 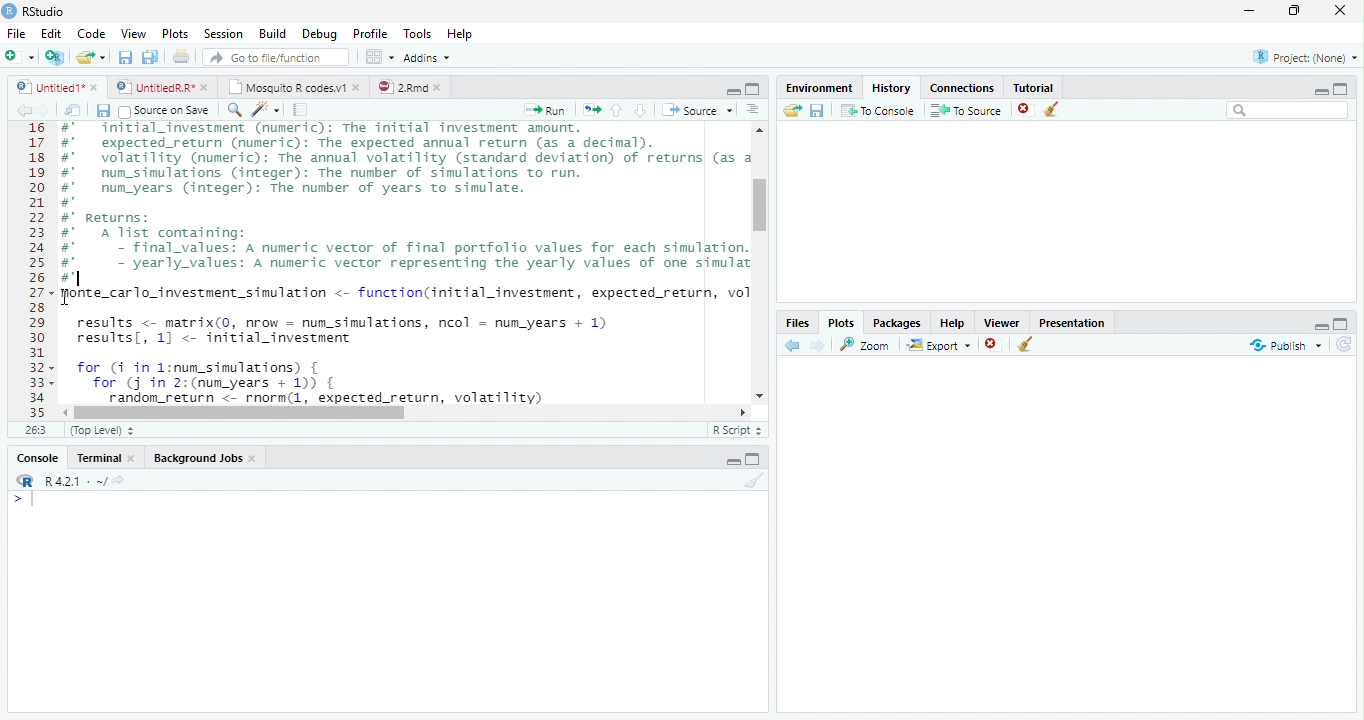 I want to click on previous source location, so click(x=23, y=110).